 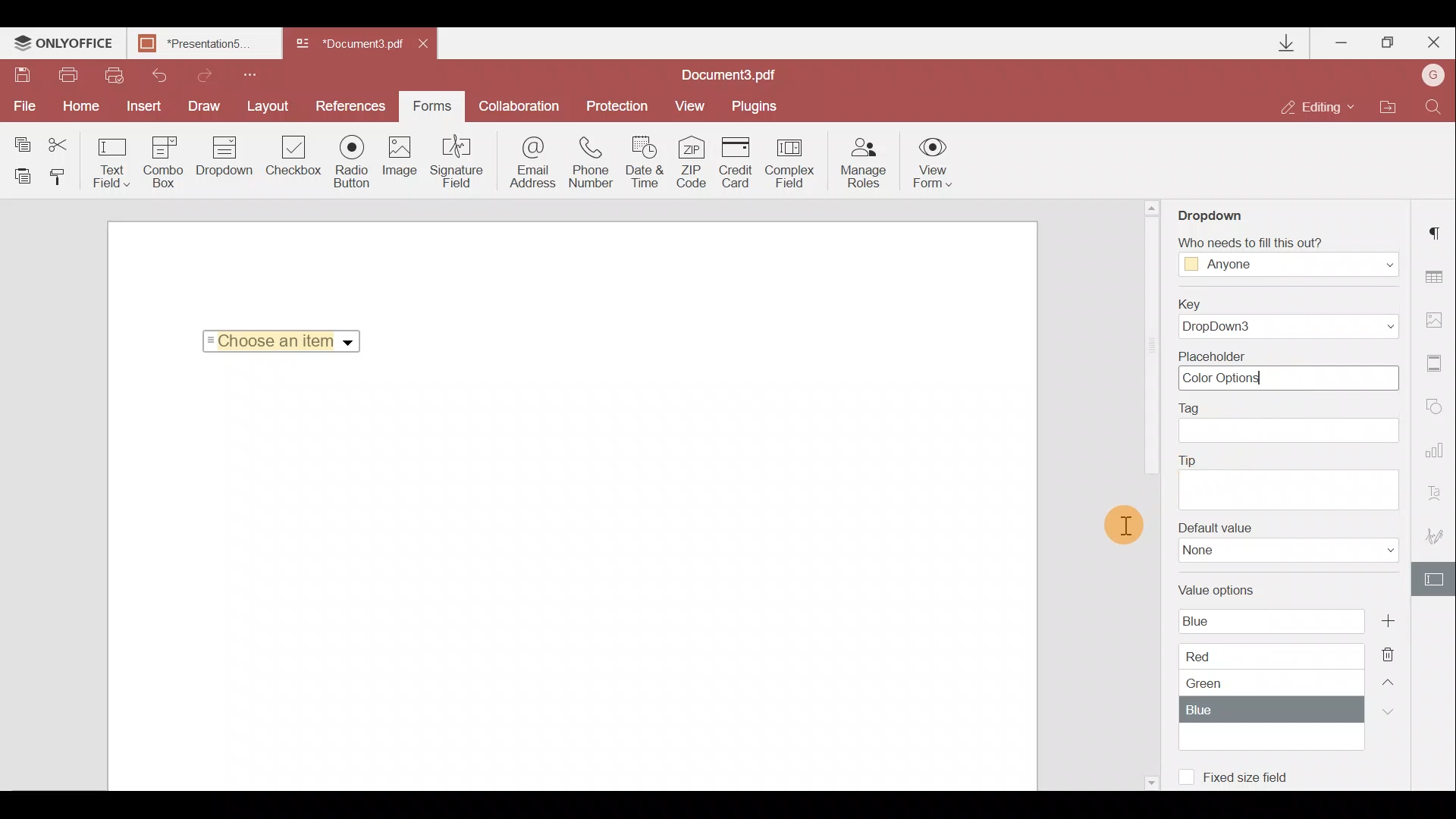 What do you see at coordinates (1319, 108) in the screenshot?
I see `Editing mode` at bounding box center [1319, 108].